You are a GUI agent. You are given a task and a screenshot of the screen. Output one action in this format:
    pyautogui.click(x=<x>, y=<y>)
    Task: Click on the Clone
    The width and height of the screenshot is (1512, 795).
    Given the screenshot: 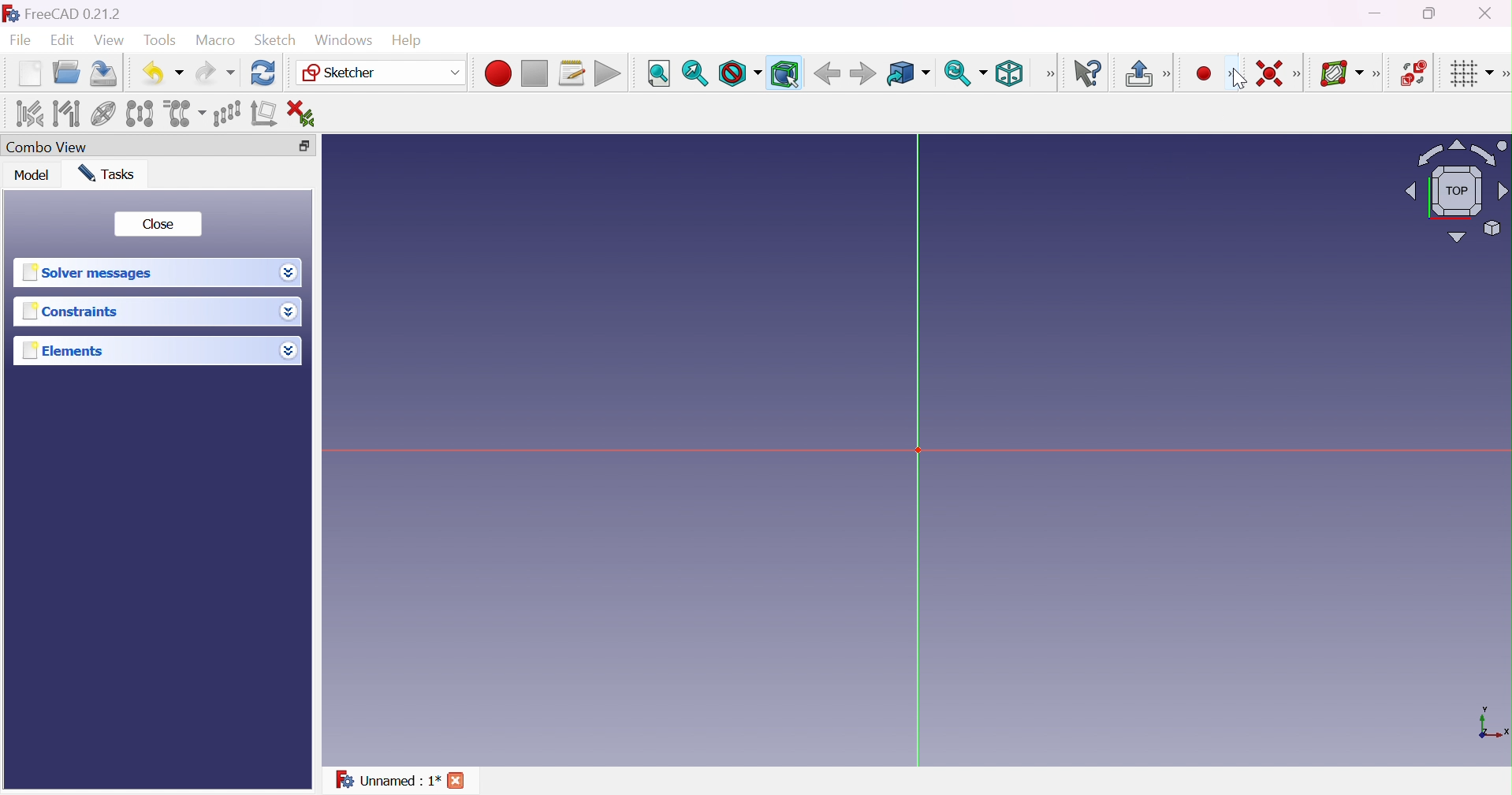 What is the action you would take?
    pyautogui.click(x=184, y=112)
    